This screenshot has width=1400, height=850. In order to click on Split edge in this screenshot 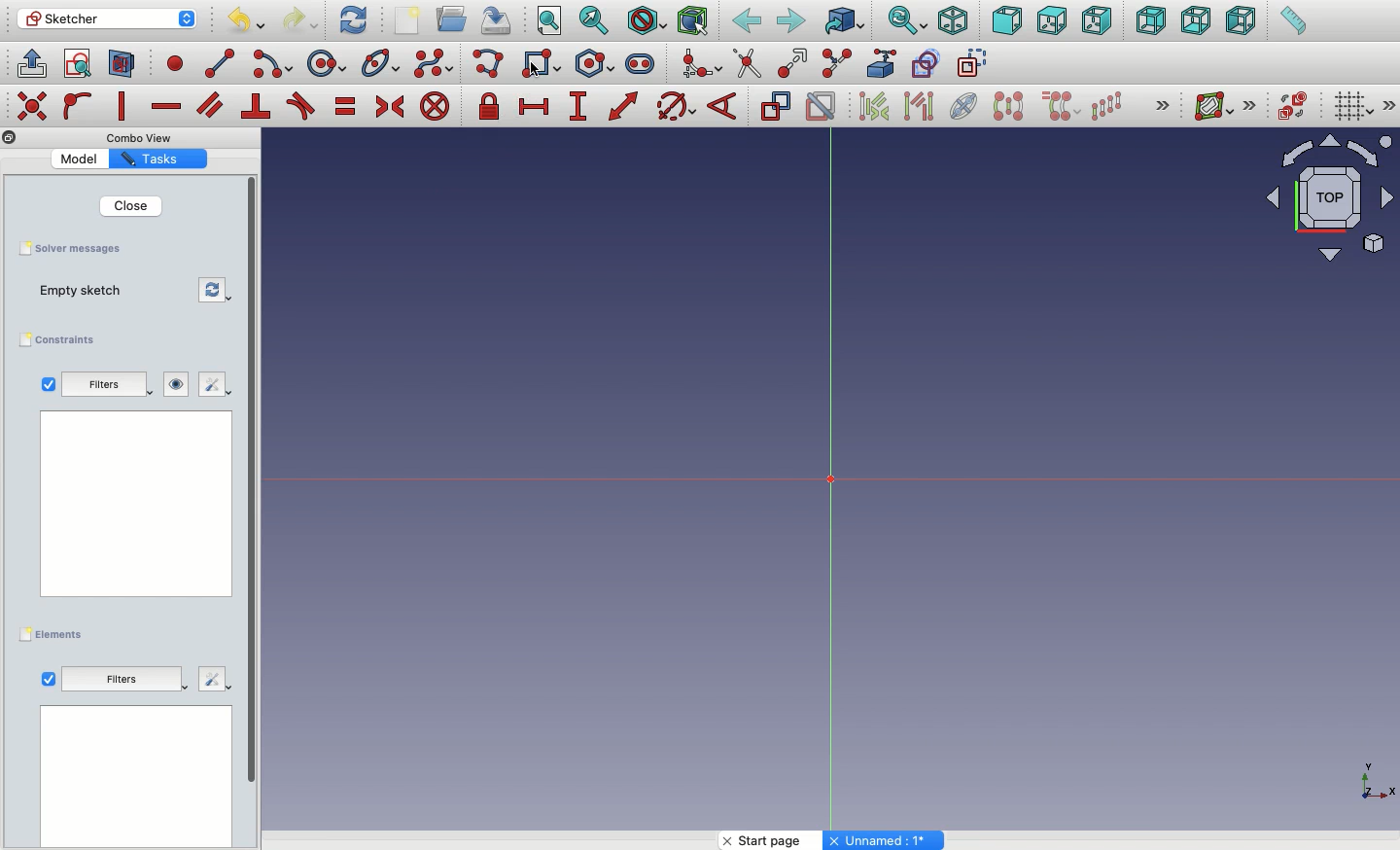, I will do `click(836, 64)`.